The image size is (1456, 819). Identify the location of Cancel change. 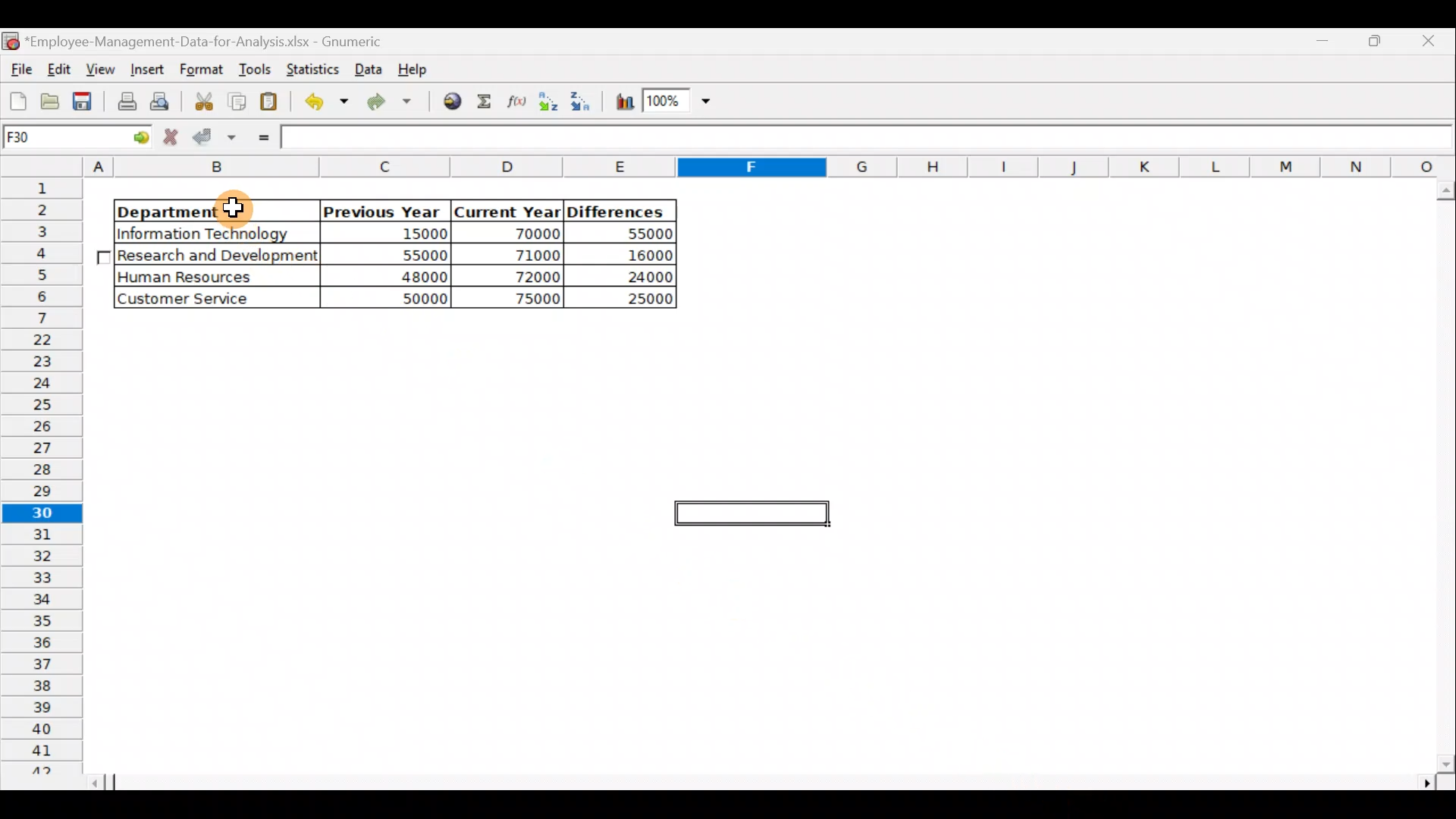
(172, 138).